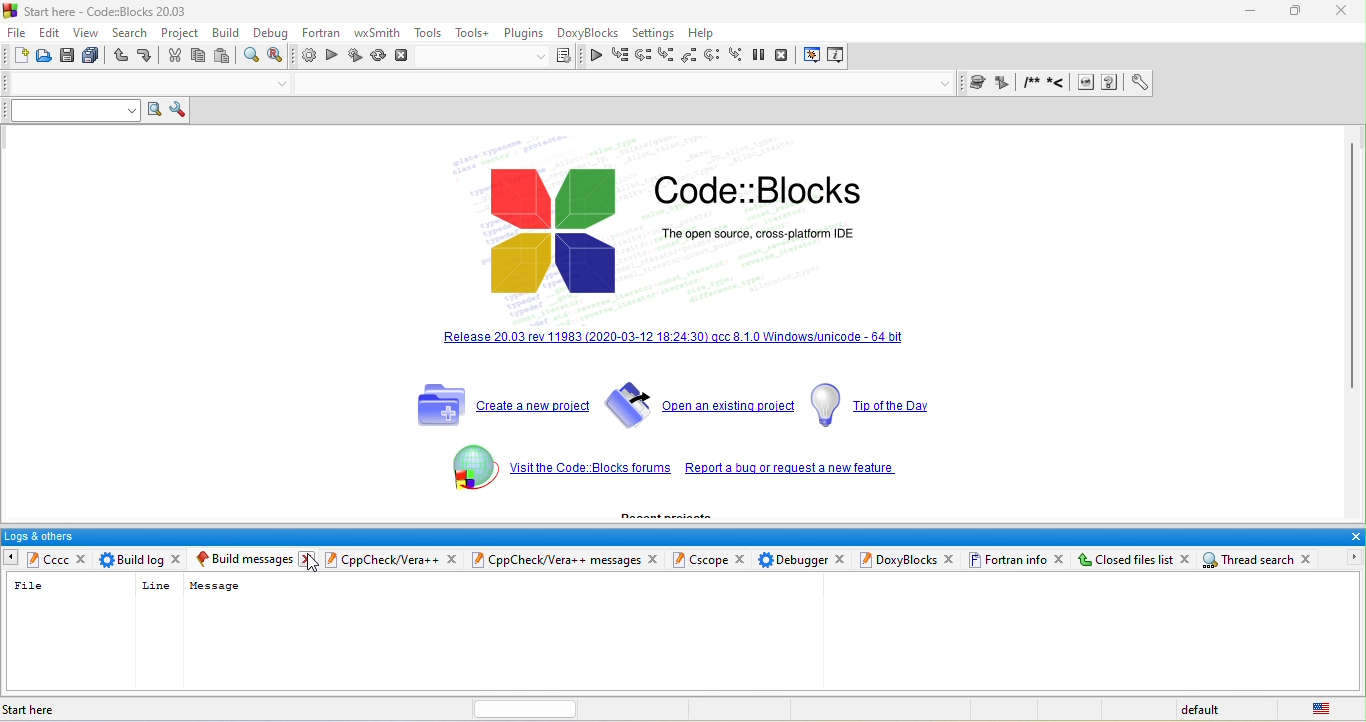 The width and height of the screenshot is (1366, 722). What do you see at coordinates (133, 34) in the screenshot?
I see `search` at bounding box center [133, 34].